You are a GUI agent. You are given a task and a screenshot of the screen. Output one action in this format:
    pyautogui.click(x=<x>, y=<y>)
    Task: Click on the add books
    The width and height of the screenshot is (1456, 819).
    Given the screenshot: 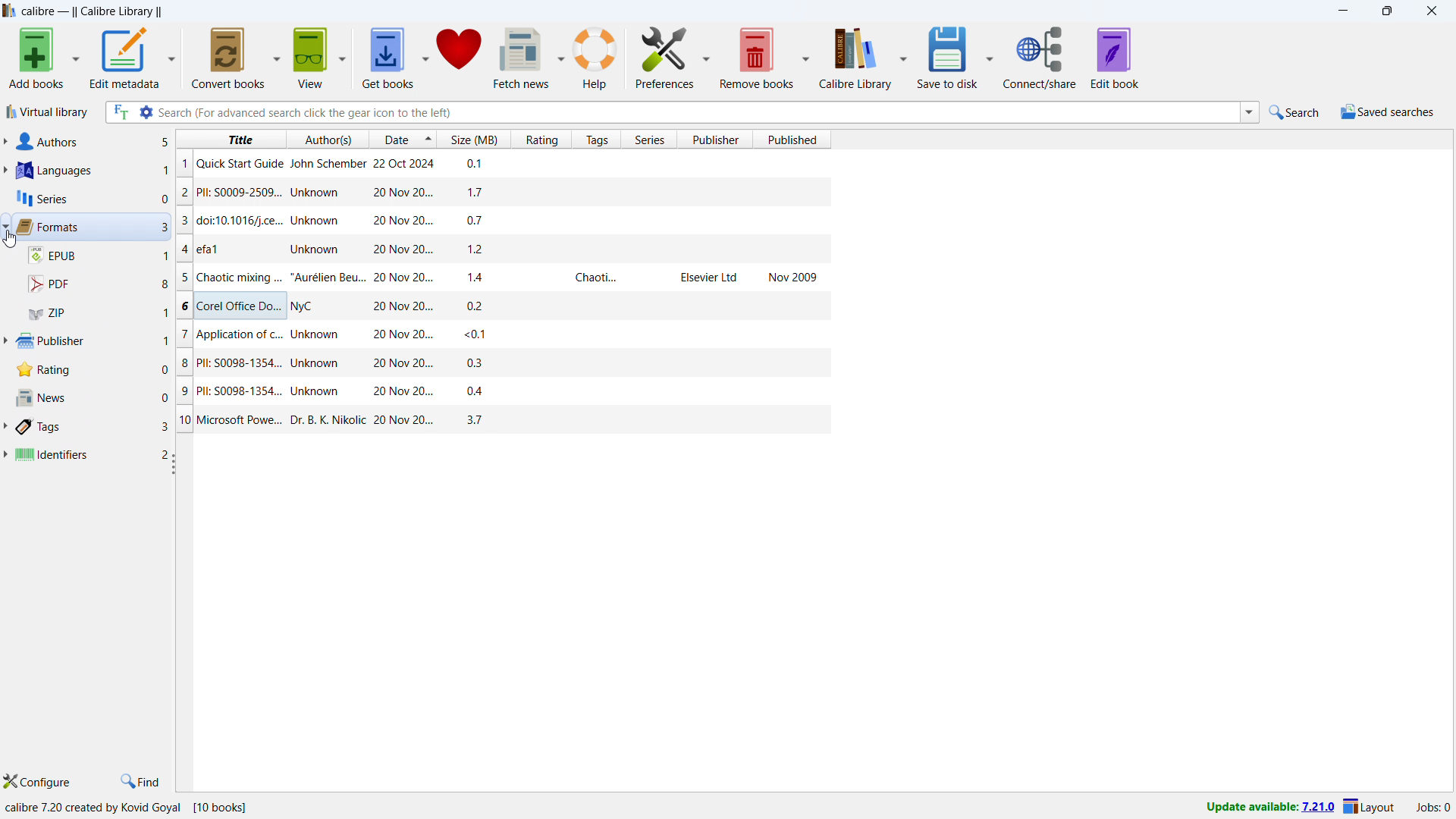 What is the action you would take?
    pyautogui.click(x=36, y=58)
    